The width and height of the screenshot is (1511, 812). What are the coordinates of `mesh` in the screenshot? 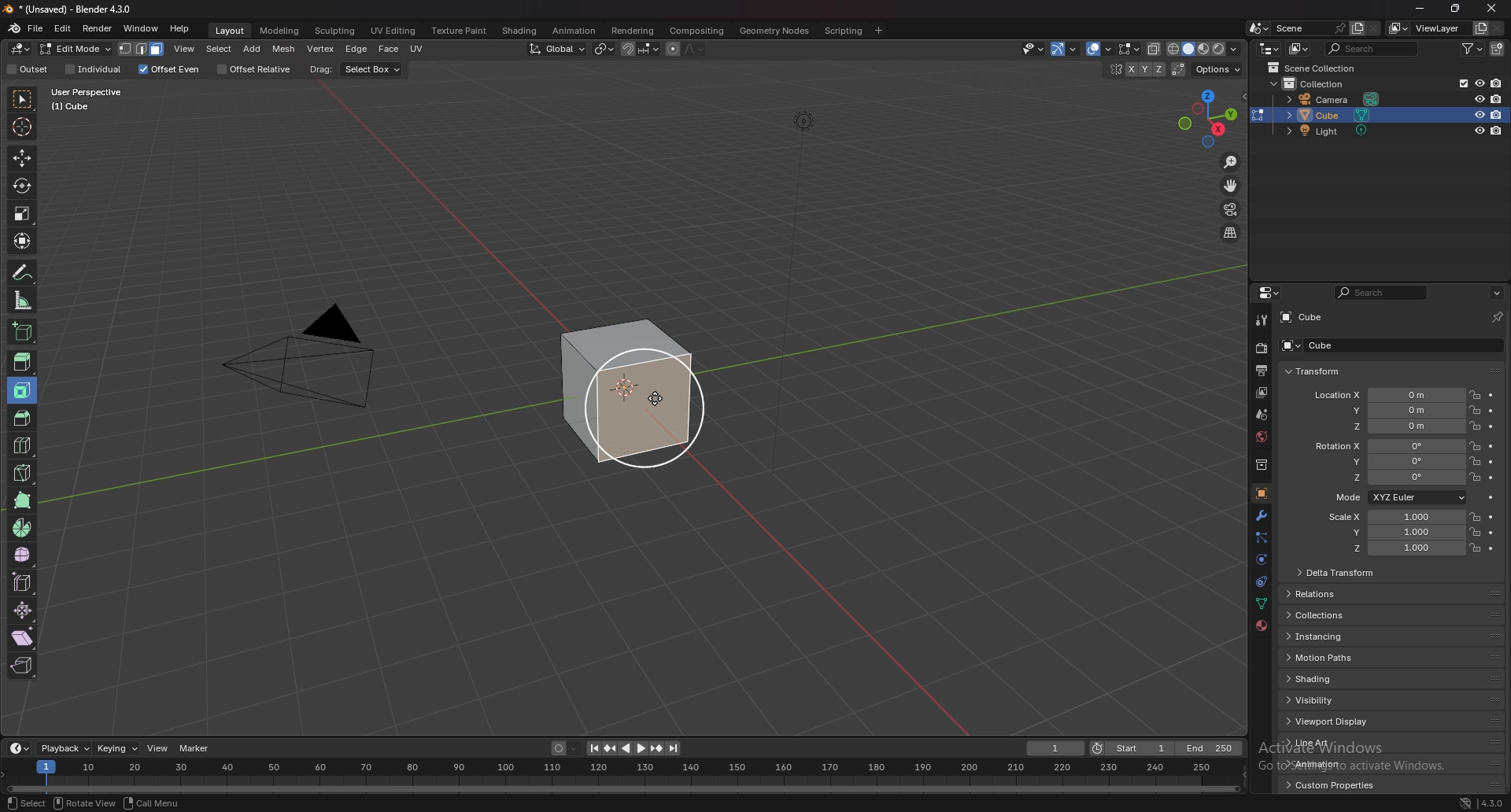 It's located at (284, 50).